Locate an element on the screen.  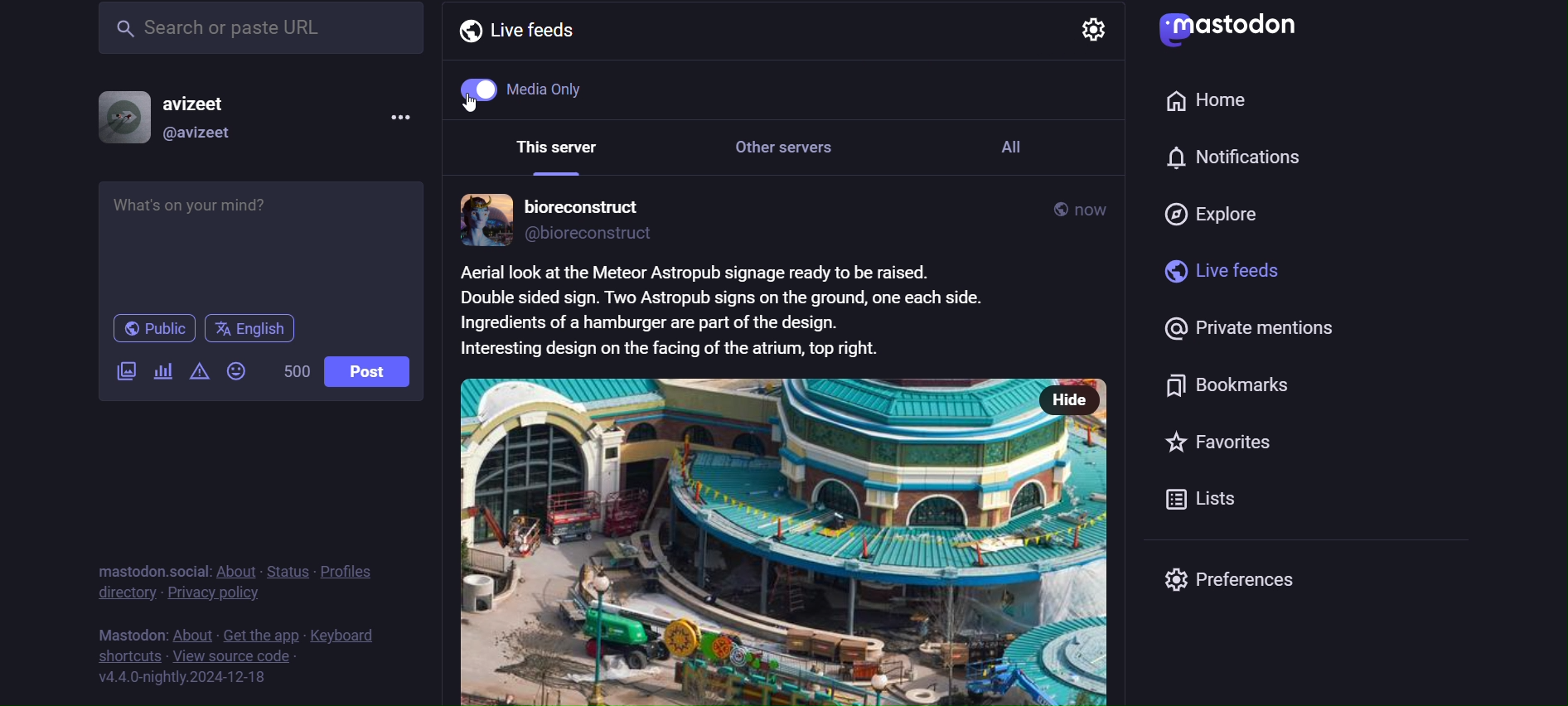
notification is located at coordinates (1228, 157).